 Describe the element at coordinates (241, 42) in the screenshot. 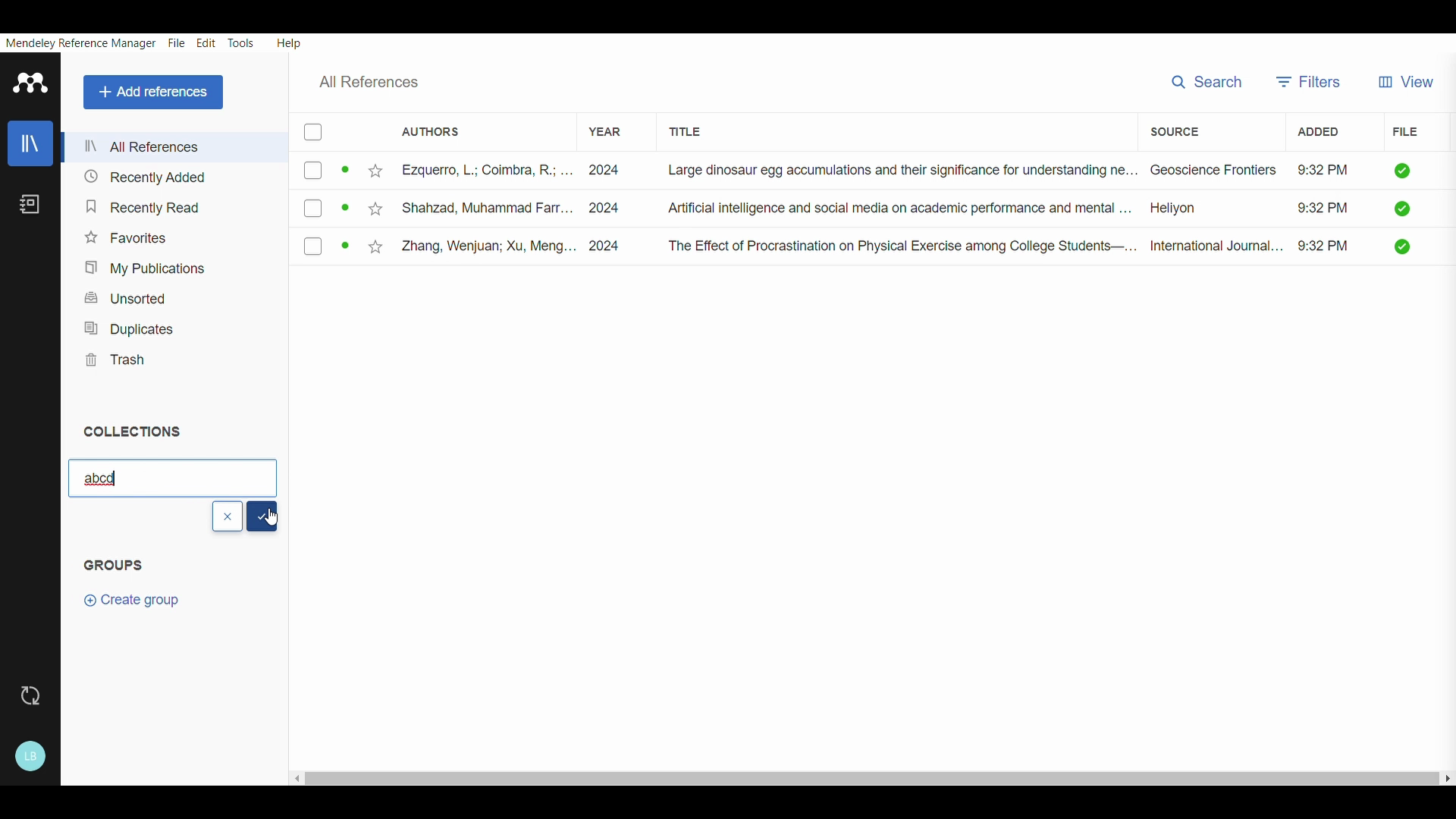

I see `Tools` at that location.